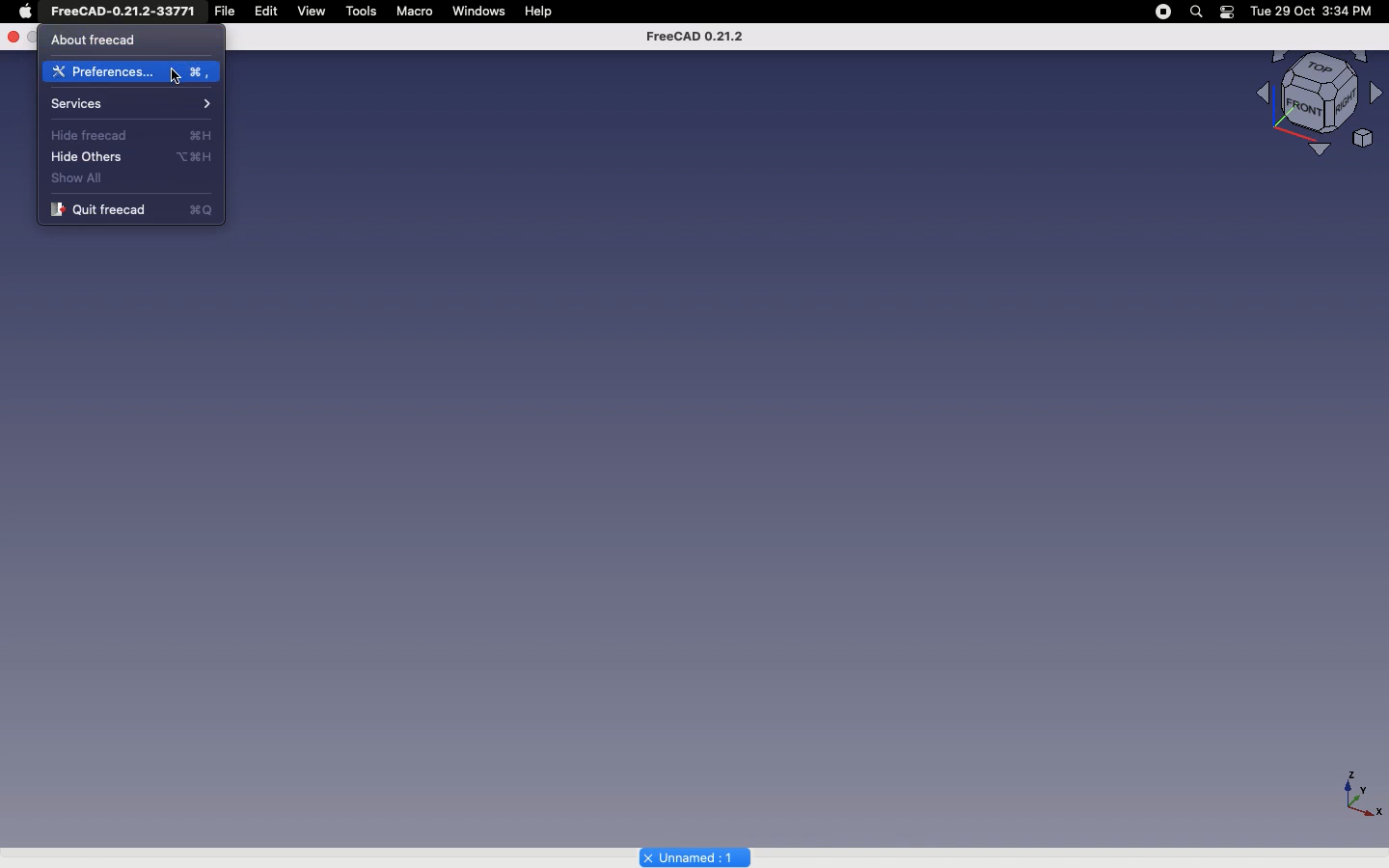  I want to click on Quit freecad, so click(132, 209).